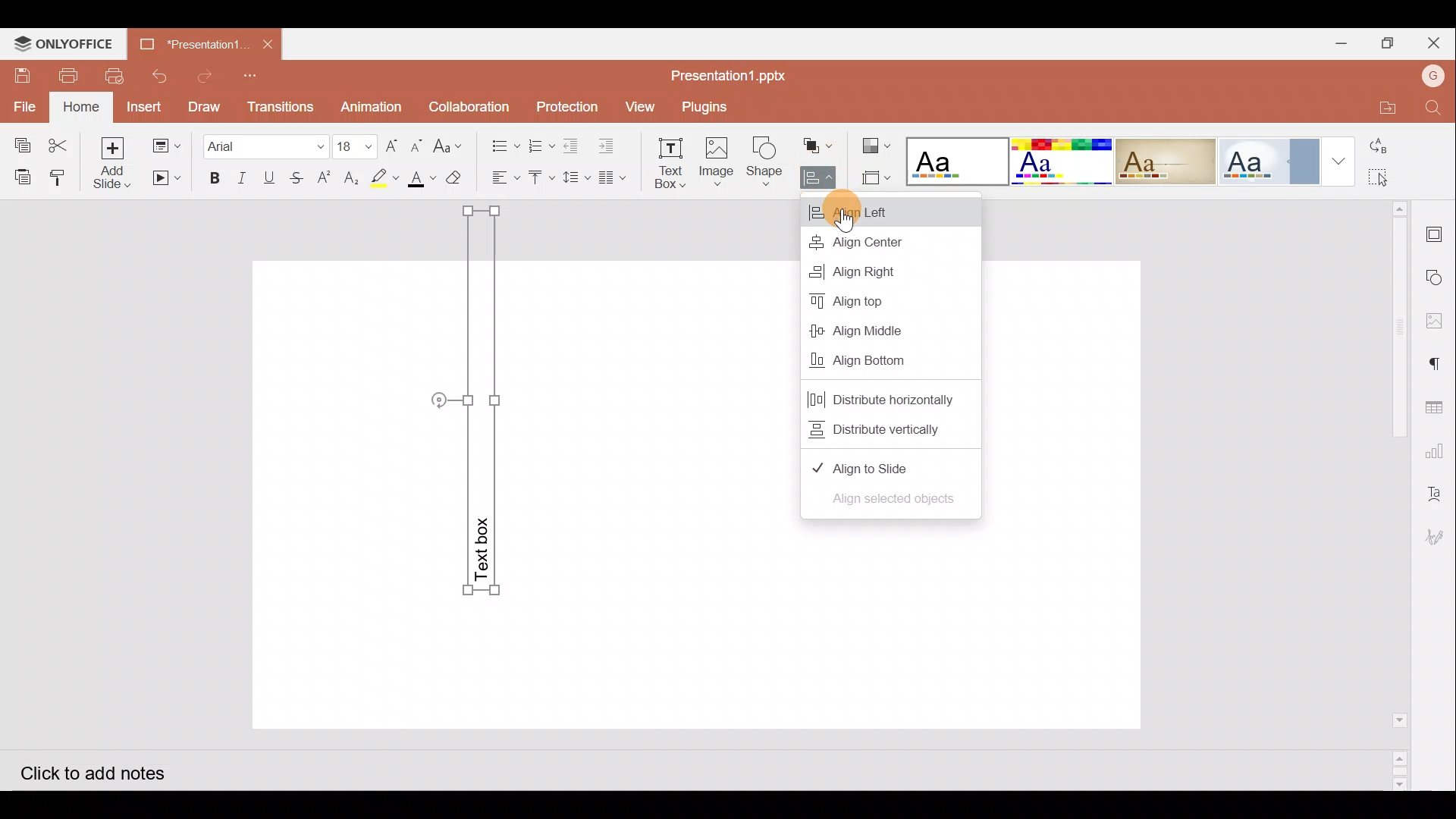 Image resolution: width=1456 pixels, height=819 pixels. I want to click on Save, so click(19, 76).